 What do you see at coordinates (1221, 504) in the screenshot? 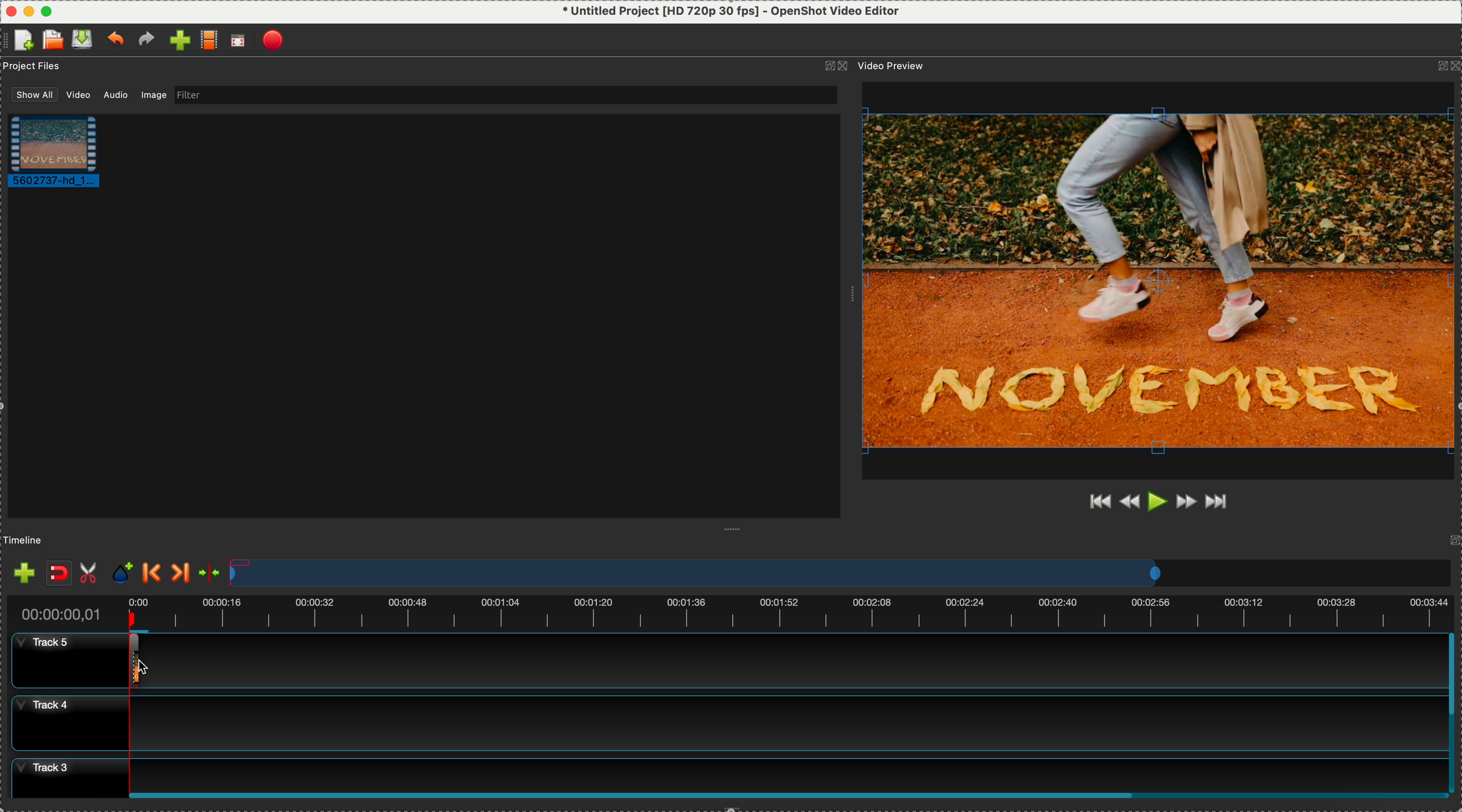
I see `jump to end` at bounding box center [1221, 504].